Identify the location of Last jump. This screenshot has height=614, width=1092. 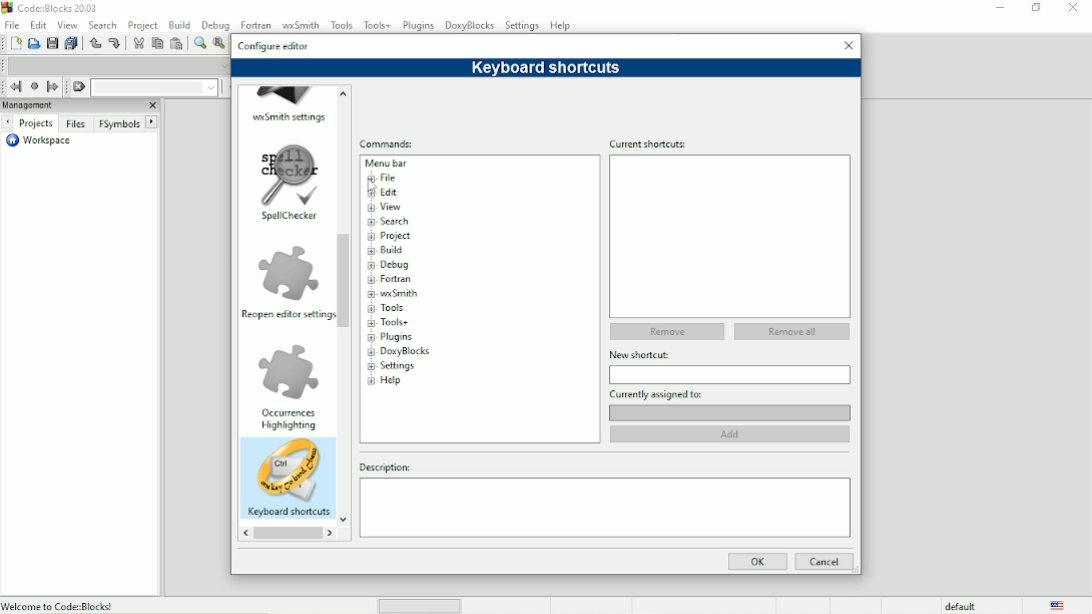
(33, 86).